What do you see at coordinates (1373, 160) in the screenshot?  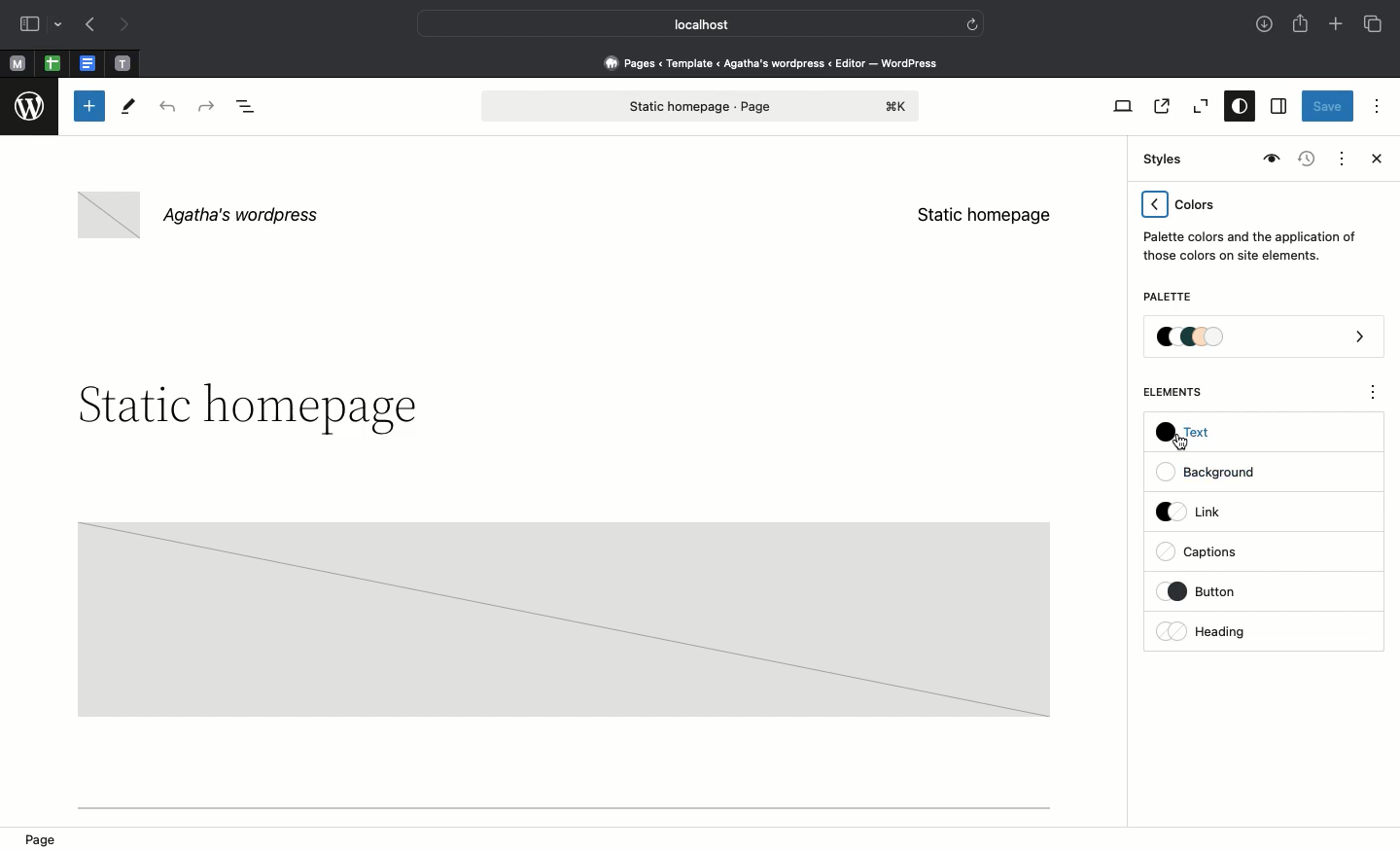 I see `Close` at bounding box center [1373, 160].